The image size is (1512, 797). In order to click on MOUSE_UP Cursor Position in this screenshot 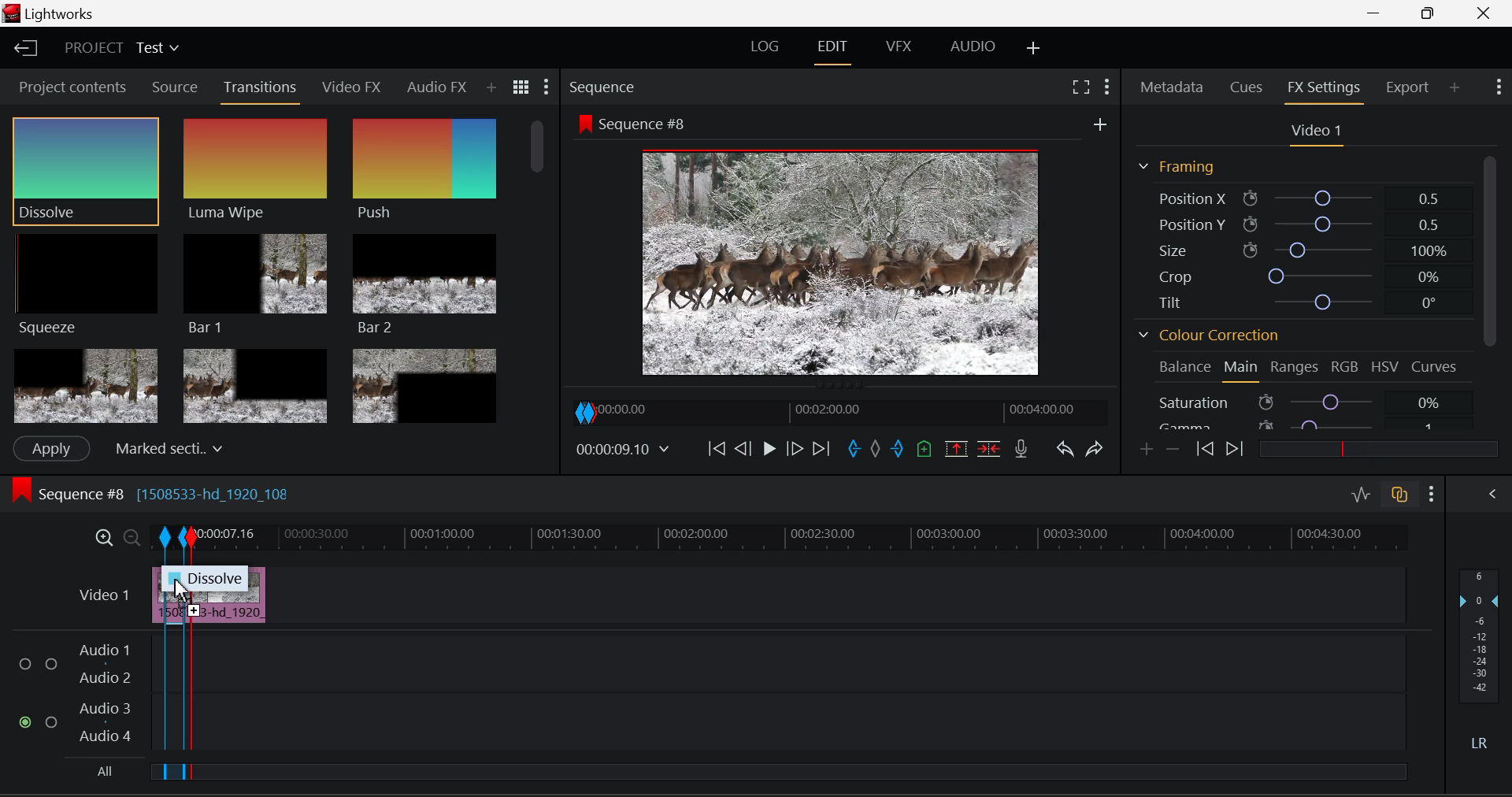, I will do `click(179, 588)`.